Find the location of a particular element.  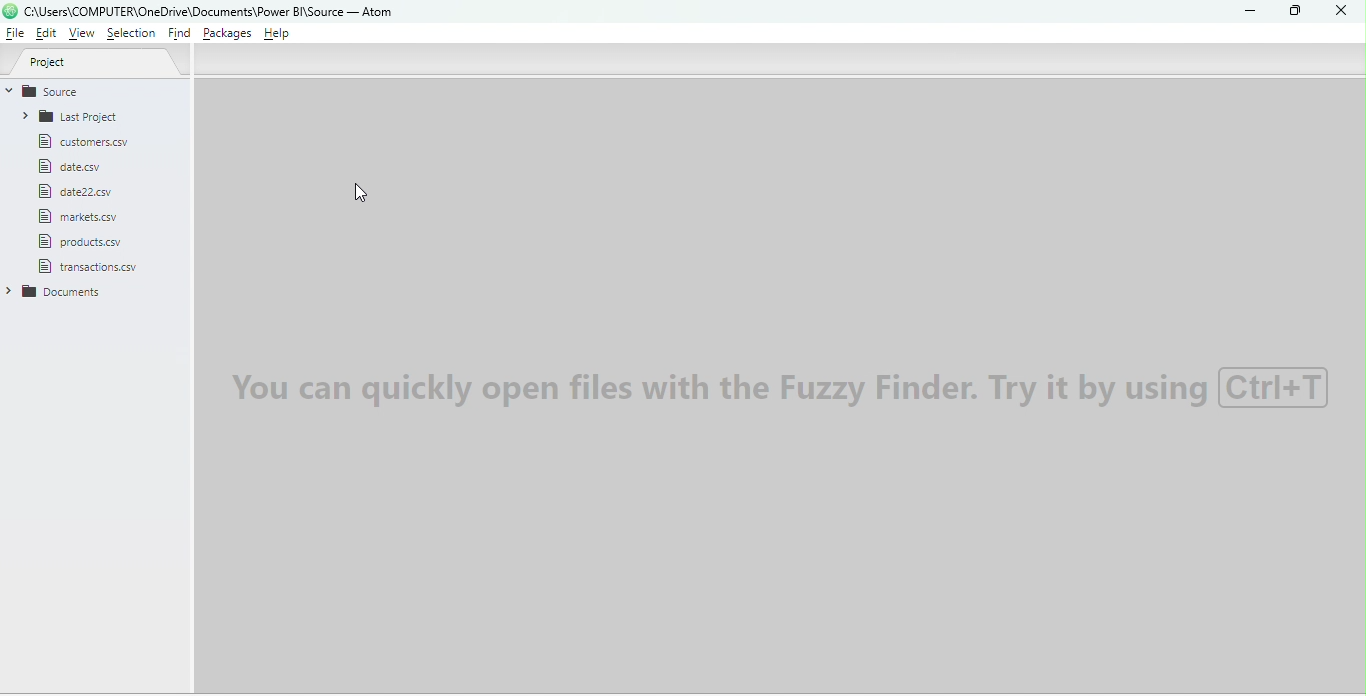

File is located at coordinates (15, 34).